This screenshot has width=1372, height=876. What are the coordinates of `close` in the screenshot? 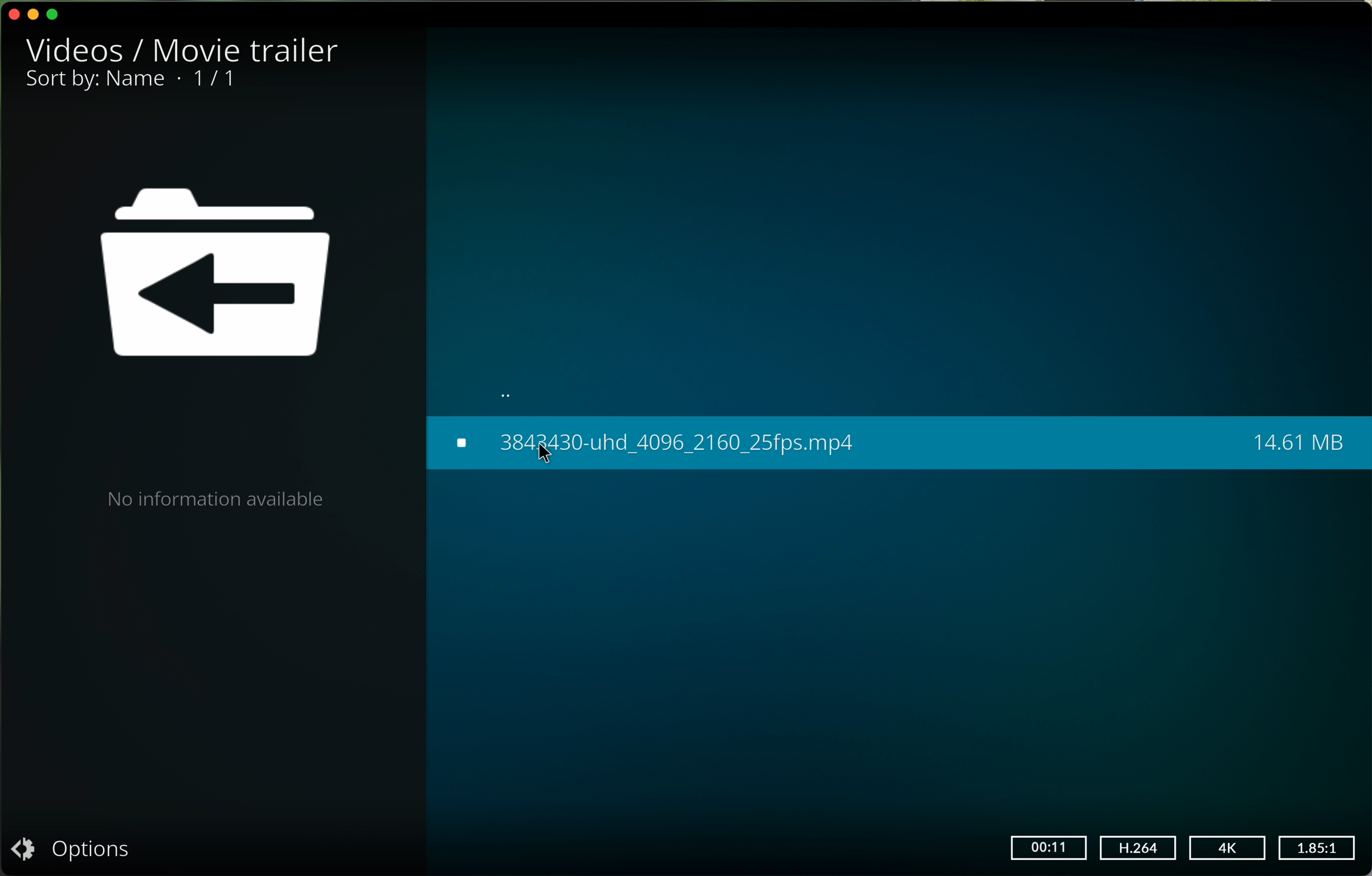 It's located at (13, 11).